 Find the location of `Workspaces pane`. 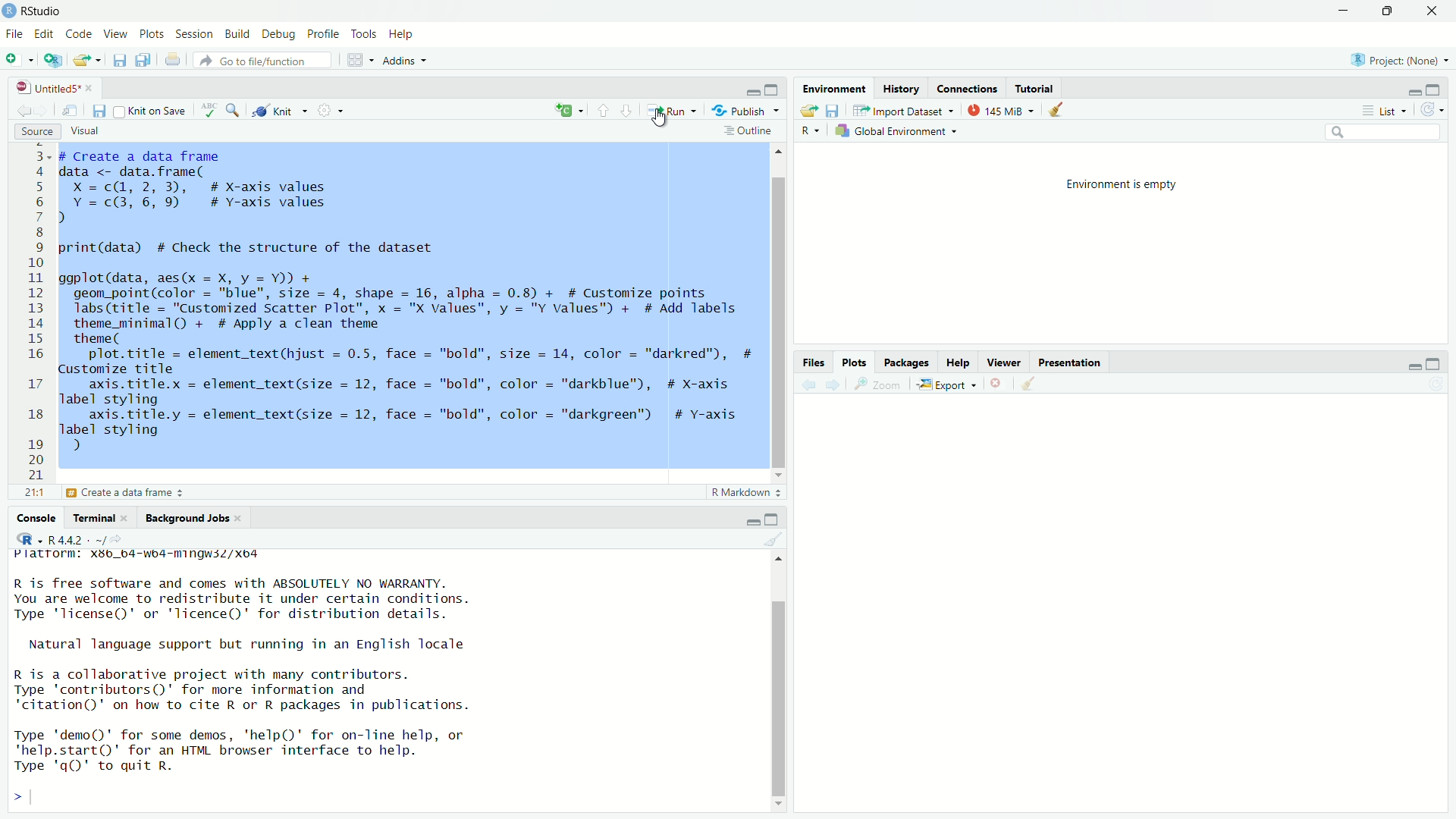

Workspaces pane is located at coordinates (361, 60).